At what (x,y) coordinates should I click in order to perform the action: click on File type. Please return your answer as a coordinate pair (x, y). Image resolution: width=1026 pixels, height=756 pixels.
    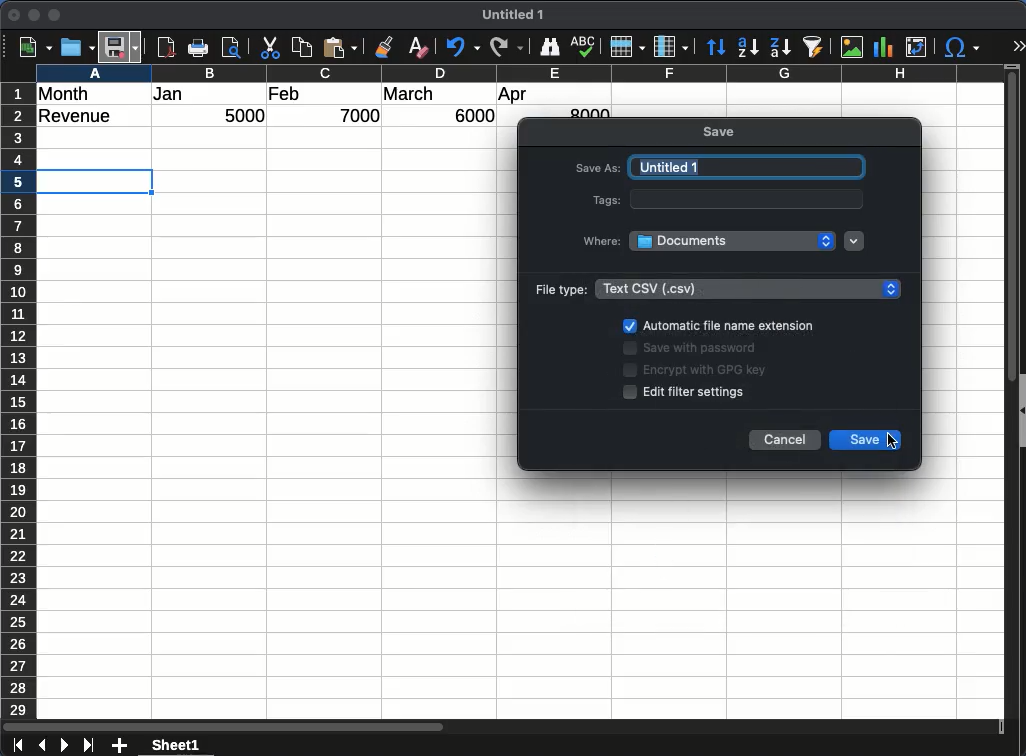
    Looking at the image, I should click on (558, 289).